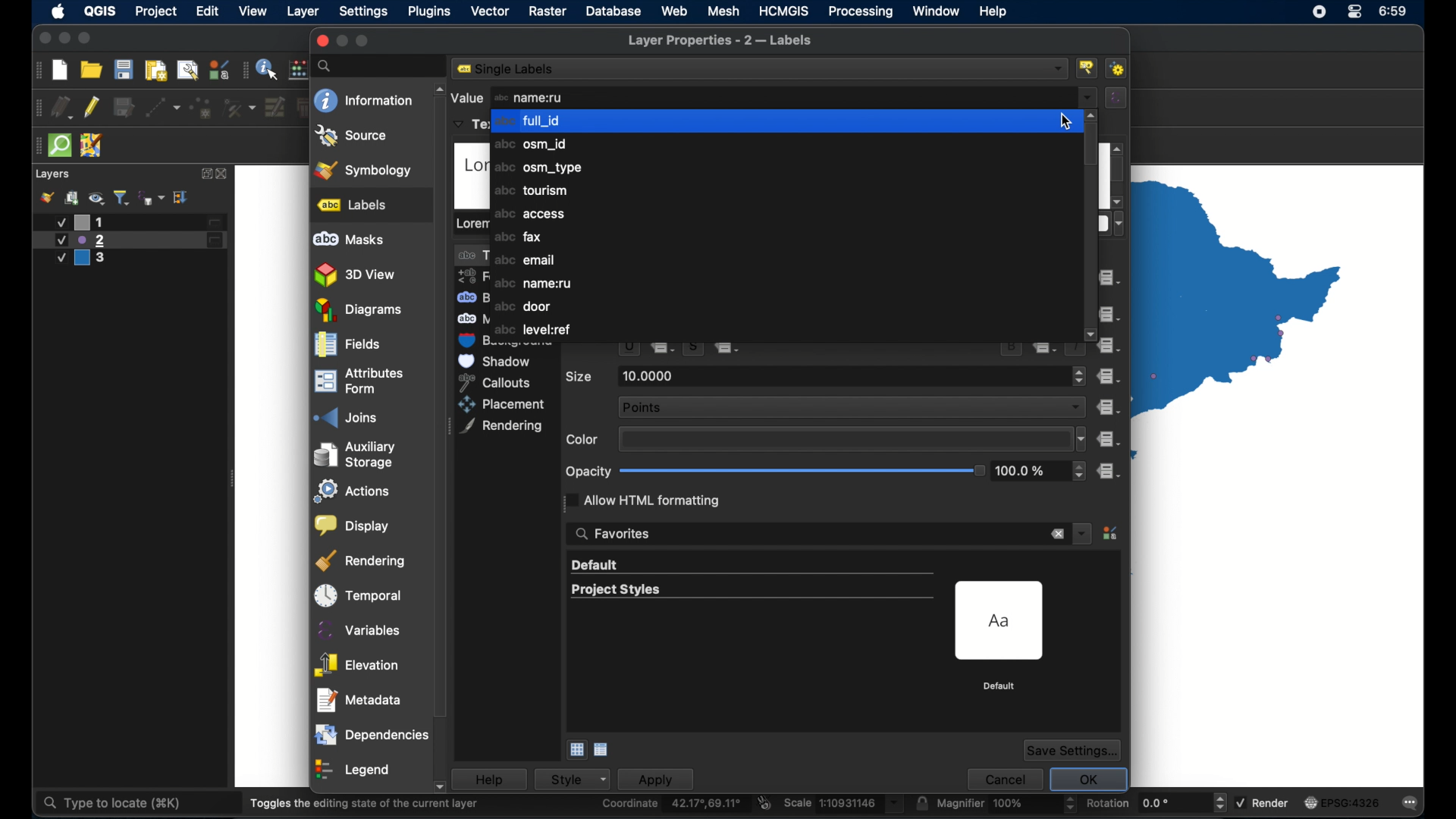 The height and width of the screenshot is (819, 1456). What do you see at coordinates (363, 12) in the screenshot?
I see `settings` at bounding box center [363, 12].